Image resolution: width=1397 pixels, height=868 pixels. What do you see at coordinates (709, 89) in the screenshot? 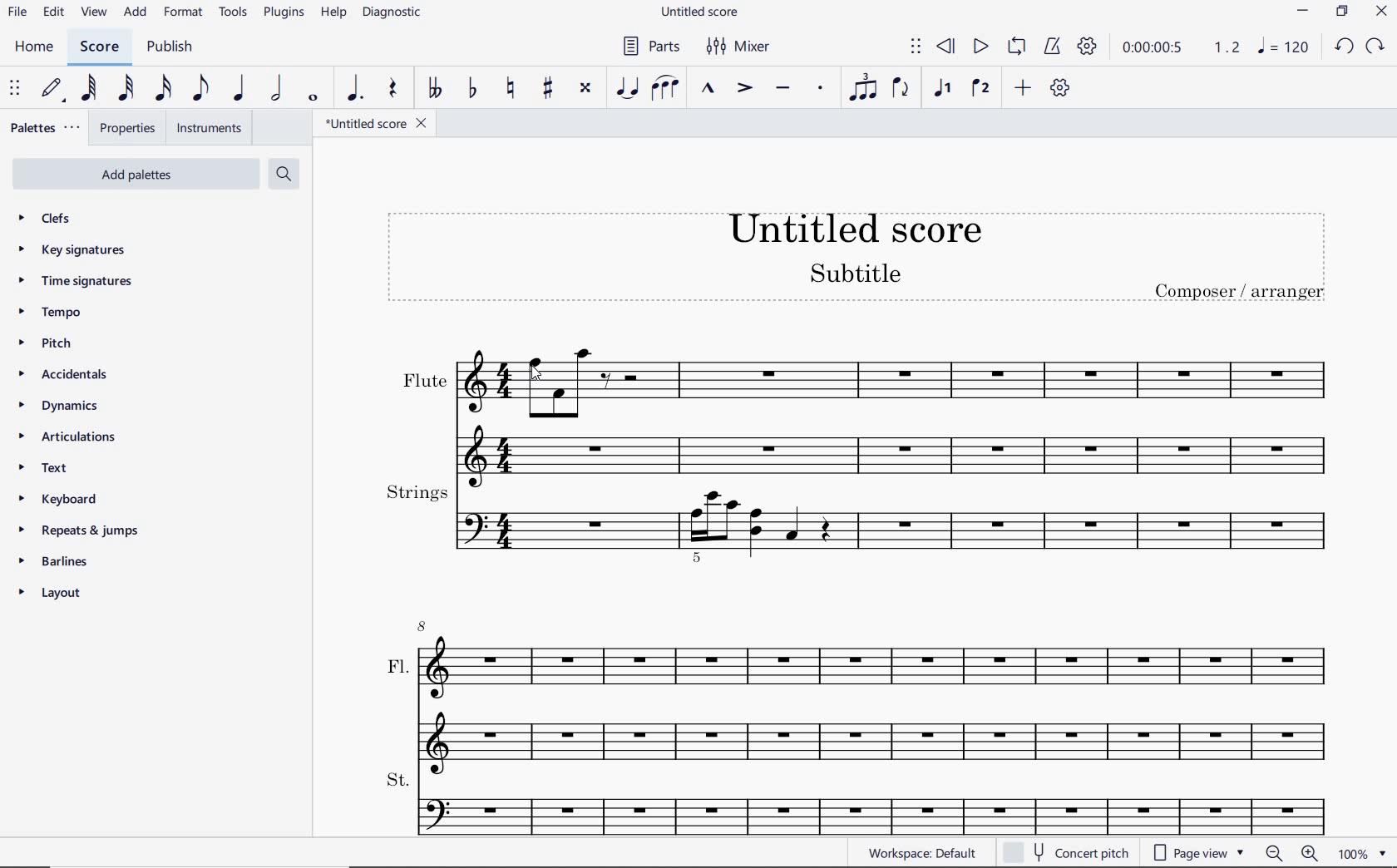
I see `MARCATO` at bounding box center [709, 89].